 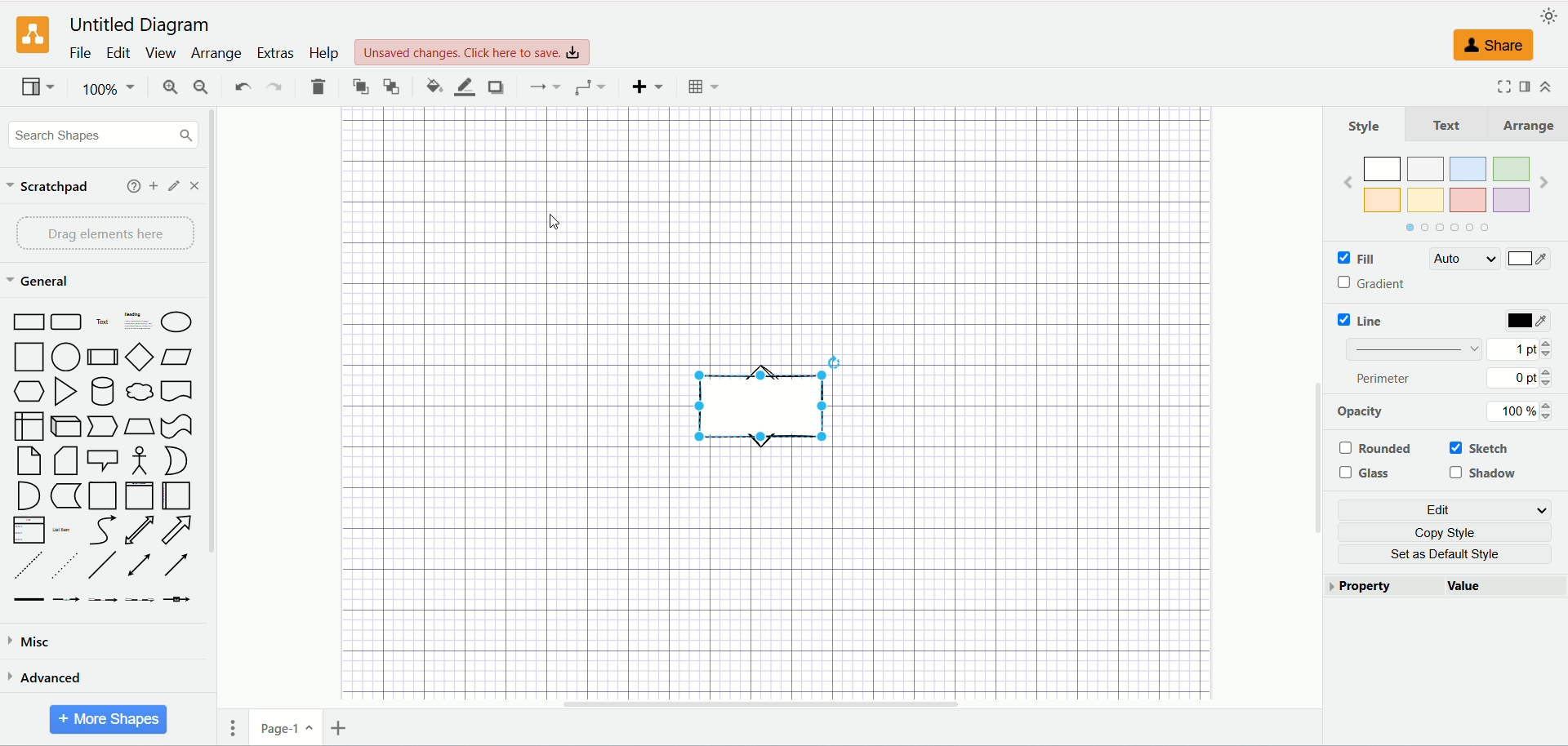 What do you see at coordinates (28, 529) in the screenshot?
I see `list` at bounding box center [28, 529].